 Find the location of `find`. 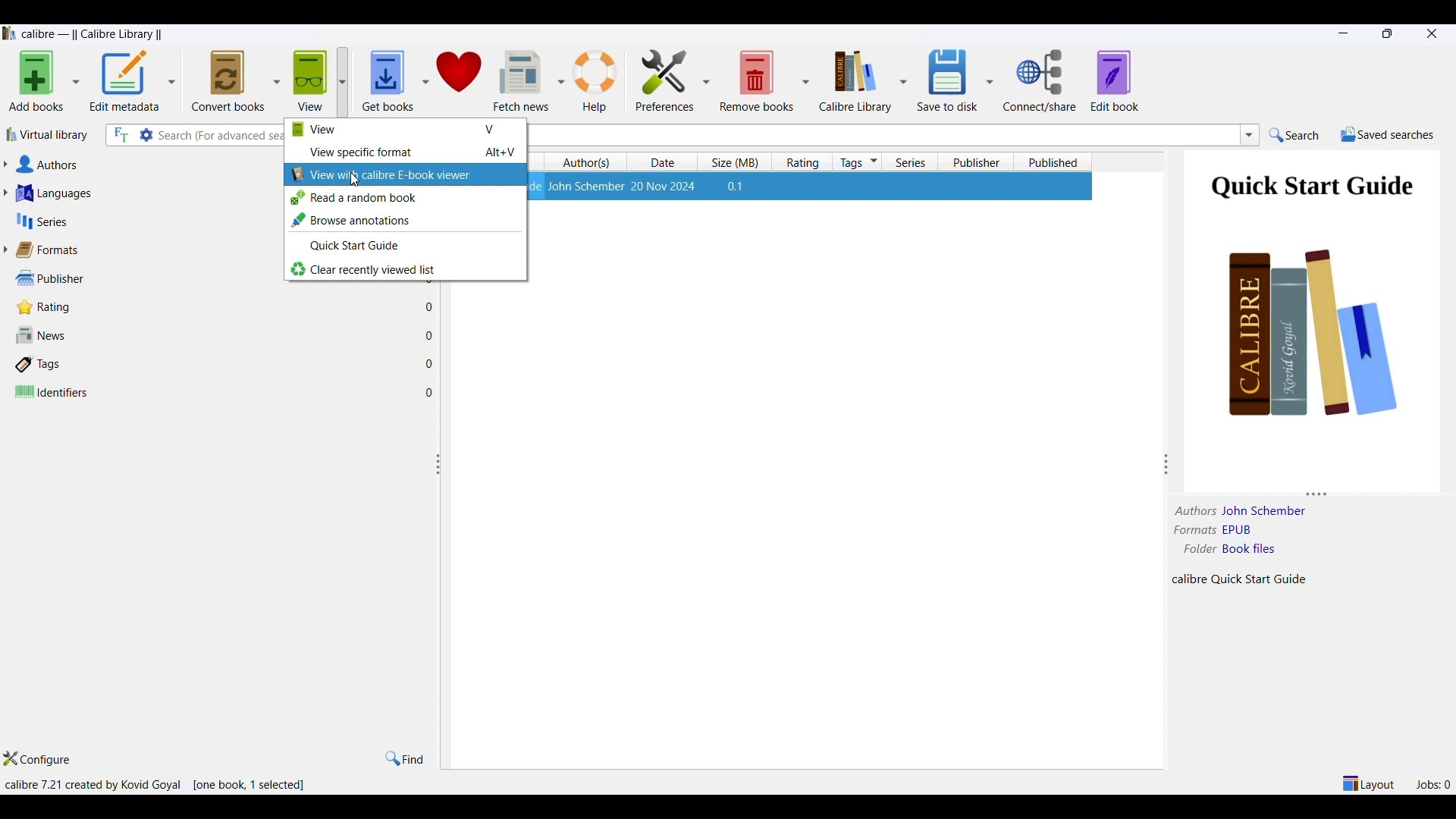

find is located at coordinates (406, 758).